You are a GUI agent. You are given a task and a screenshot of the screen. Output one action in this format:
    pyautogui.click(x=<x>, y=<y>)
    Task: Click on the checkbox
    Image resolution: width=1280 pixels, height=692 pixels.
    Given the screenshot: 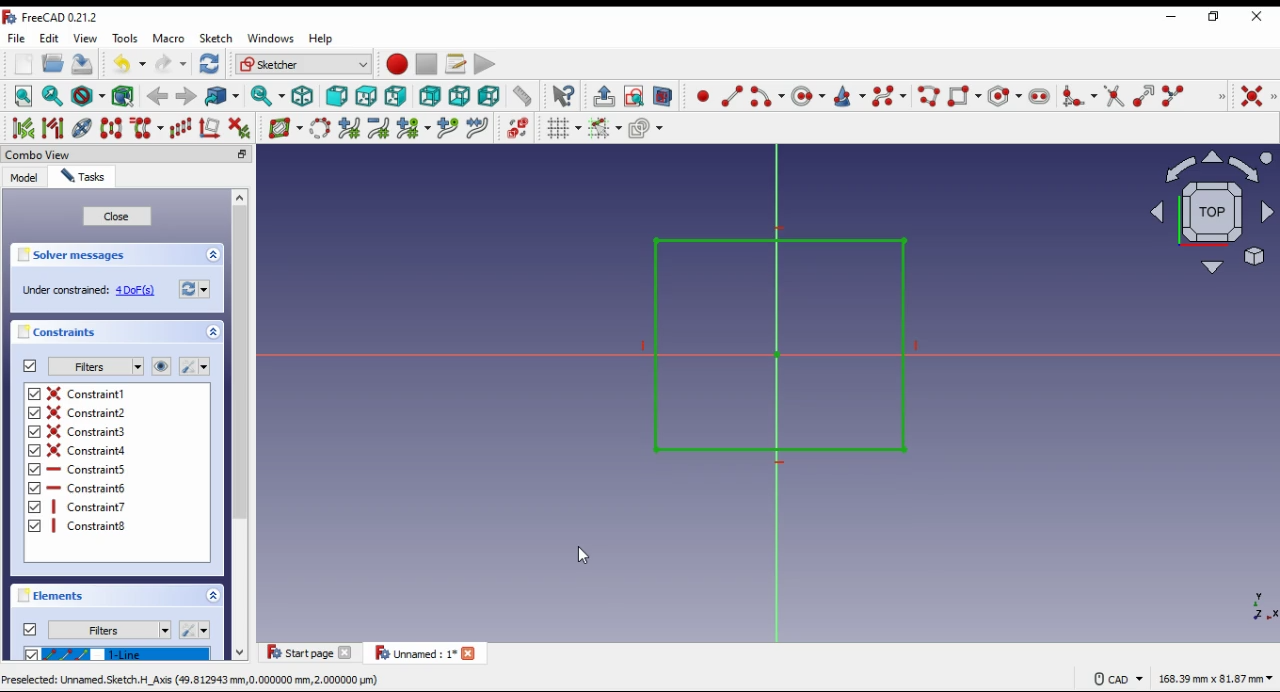 What is the action you would take?
    pyautogui.click(x=31, y=655)
    